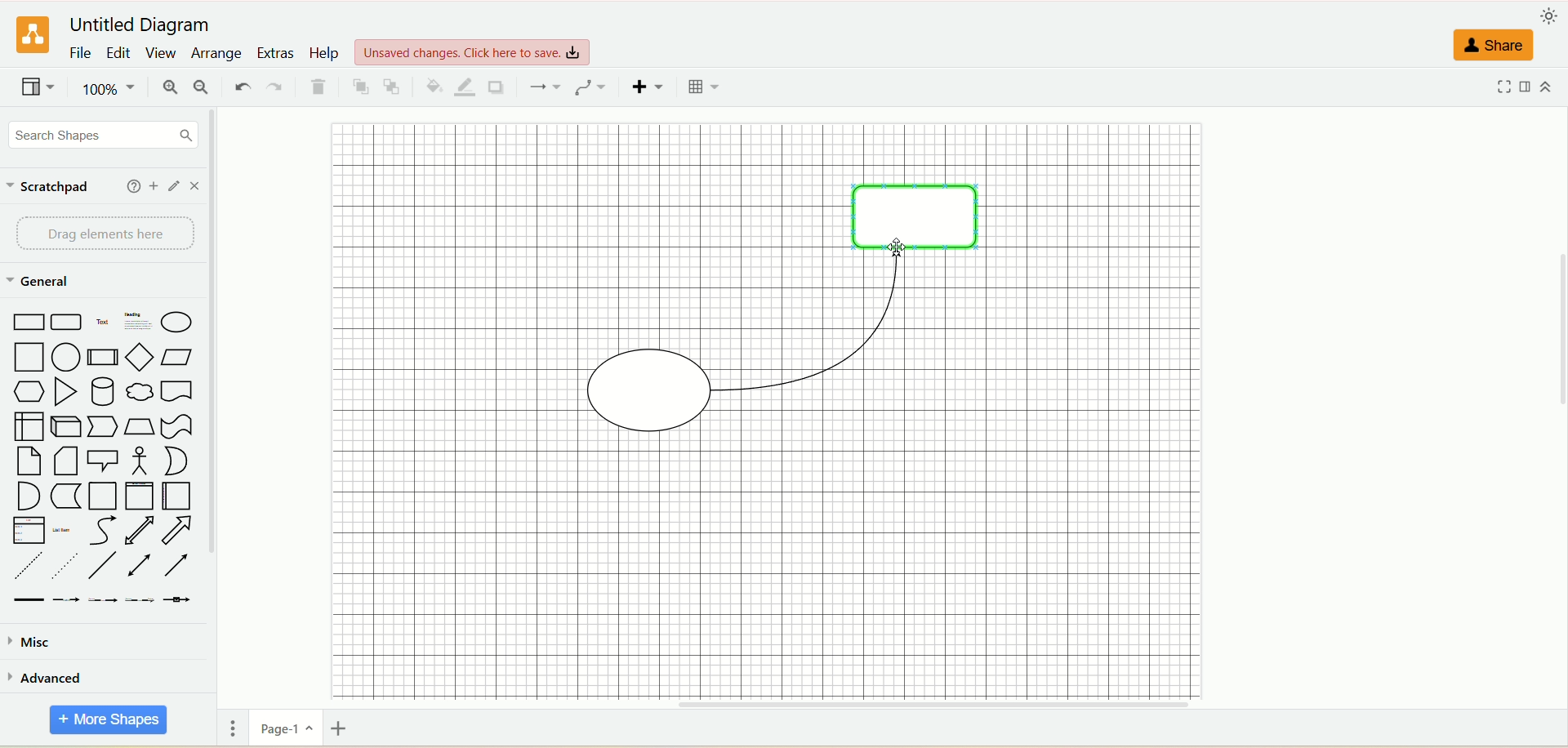 This screenshot has height=748, width=1568. Describe the element at coordinates (590, 87) in the screenshot. I see `waypoints` at that location.